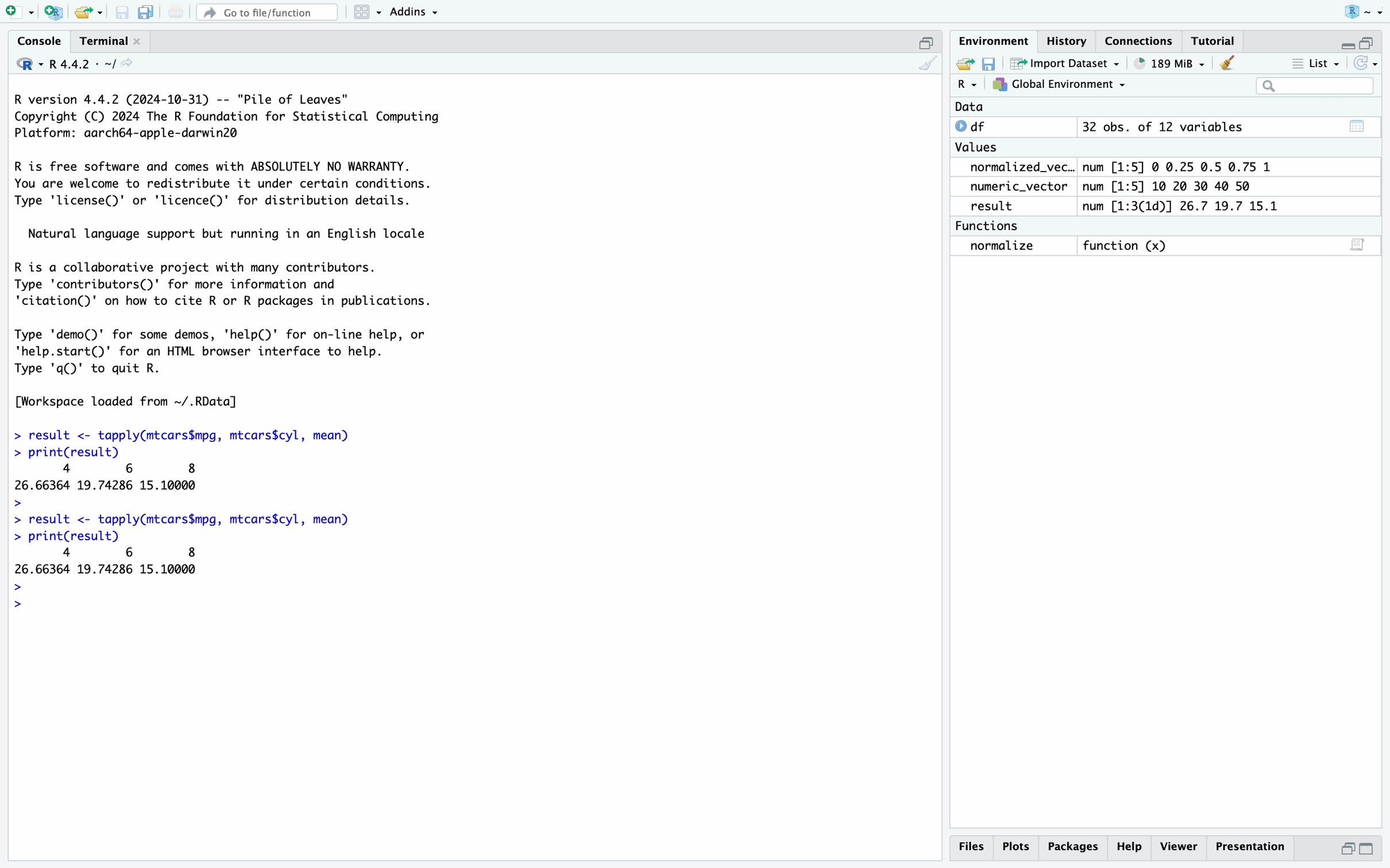 This screenshot has width=1390, height=868. I want to click on Save, so click(123, 12).